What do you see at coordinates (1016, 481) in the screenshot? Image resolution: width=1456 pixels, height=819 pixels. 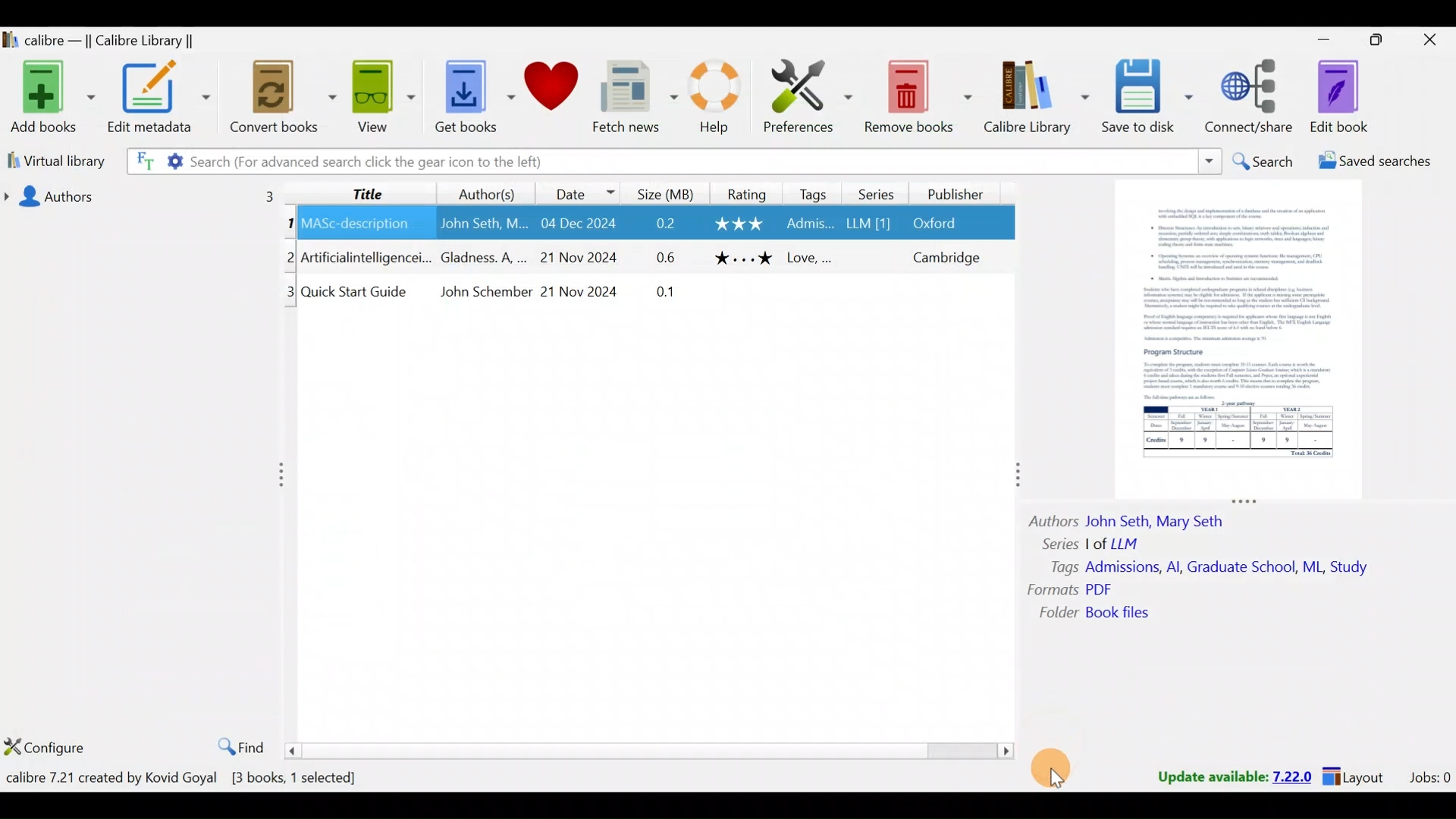 I see `` at bounding box center [1016, 481].